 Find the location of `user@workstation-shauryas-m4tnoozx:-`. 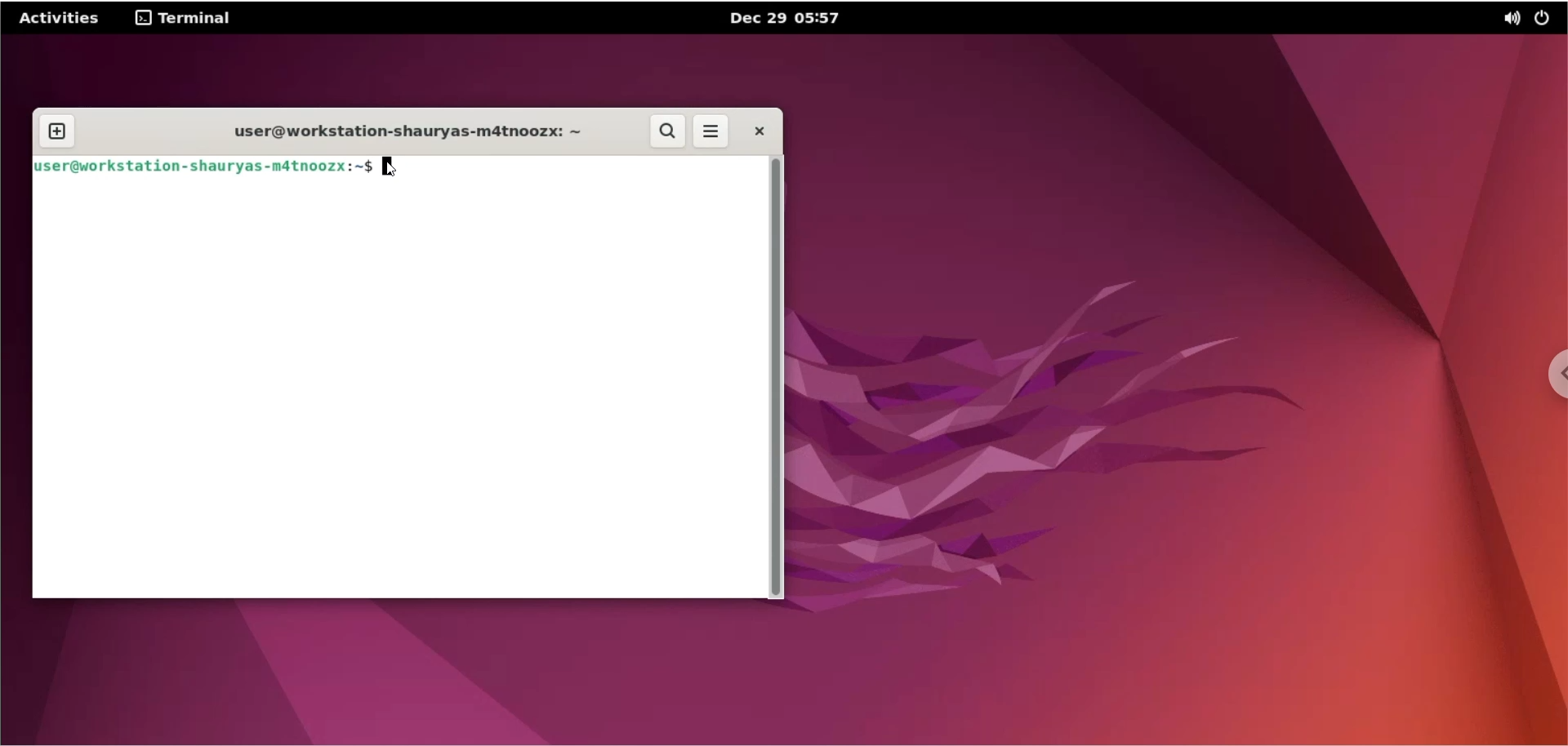

user@workstation-shauryas-m4tnoozx:- is located at coordinates (390, 131).